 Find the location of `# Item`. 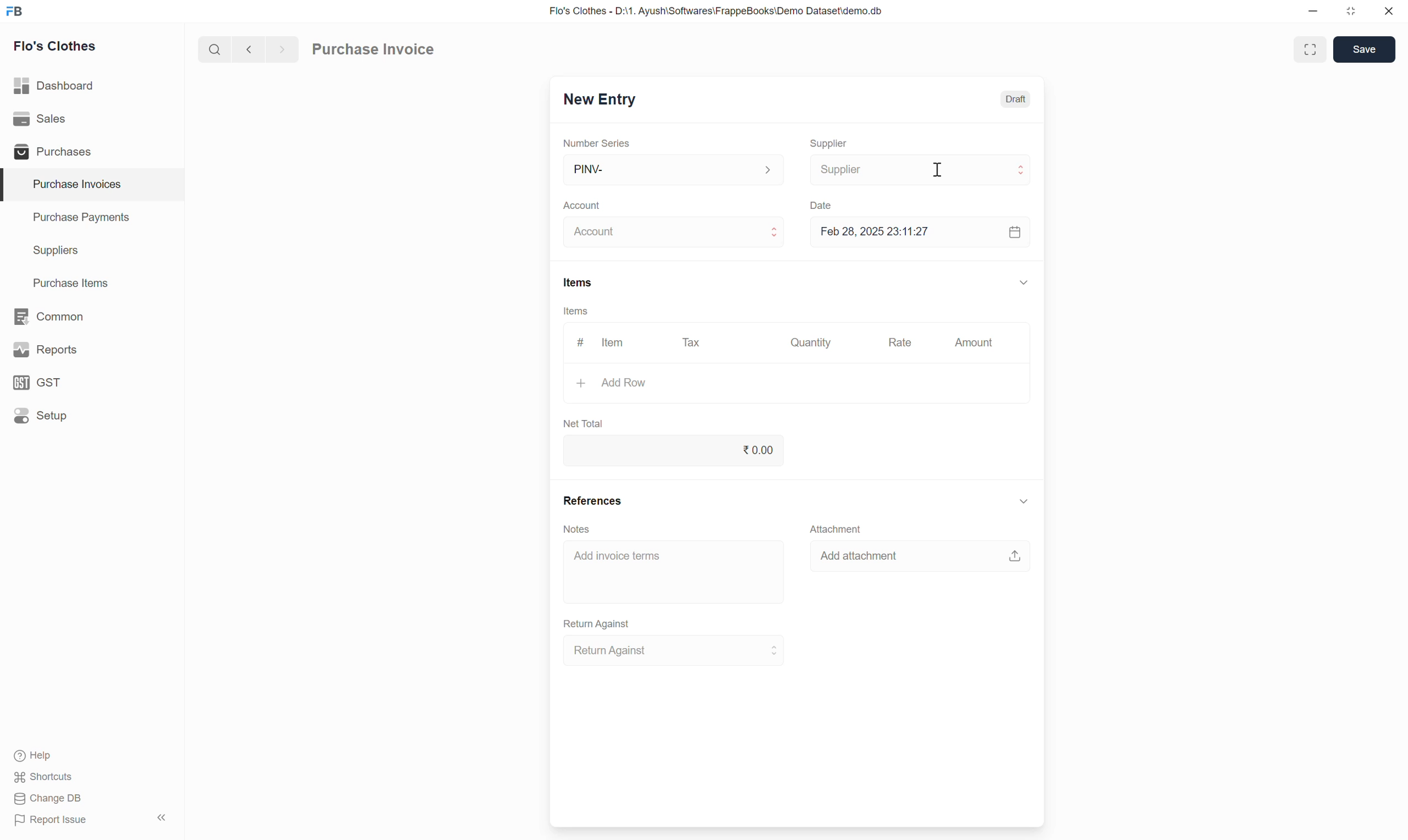

# Item is located at coordinates (604, 342).